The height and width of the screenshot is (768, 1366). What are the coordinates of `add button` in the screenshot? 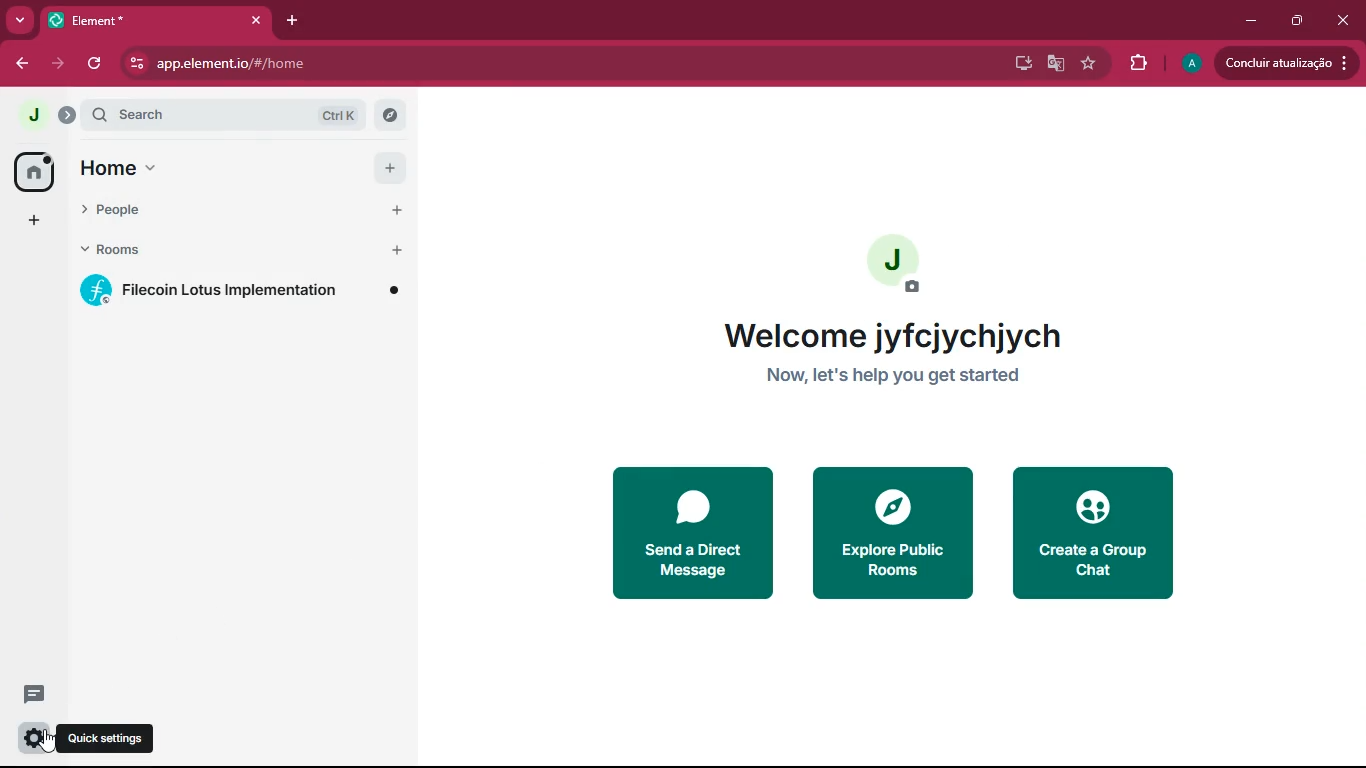 It's located at (397, 250).